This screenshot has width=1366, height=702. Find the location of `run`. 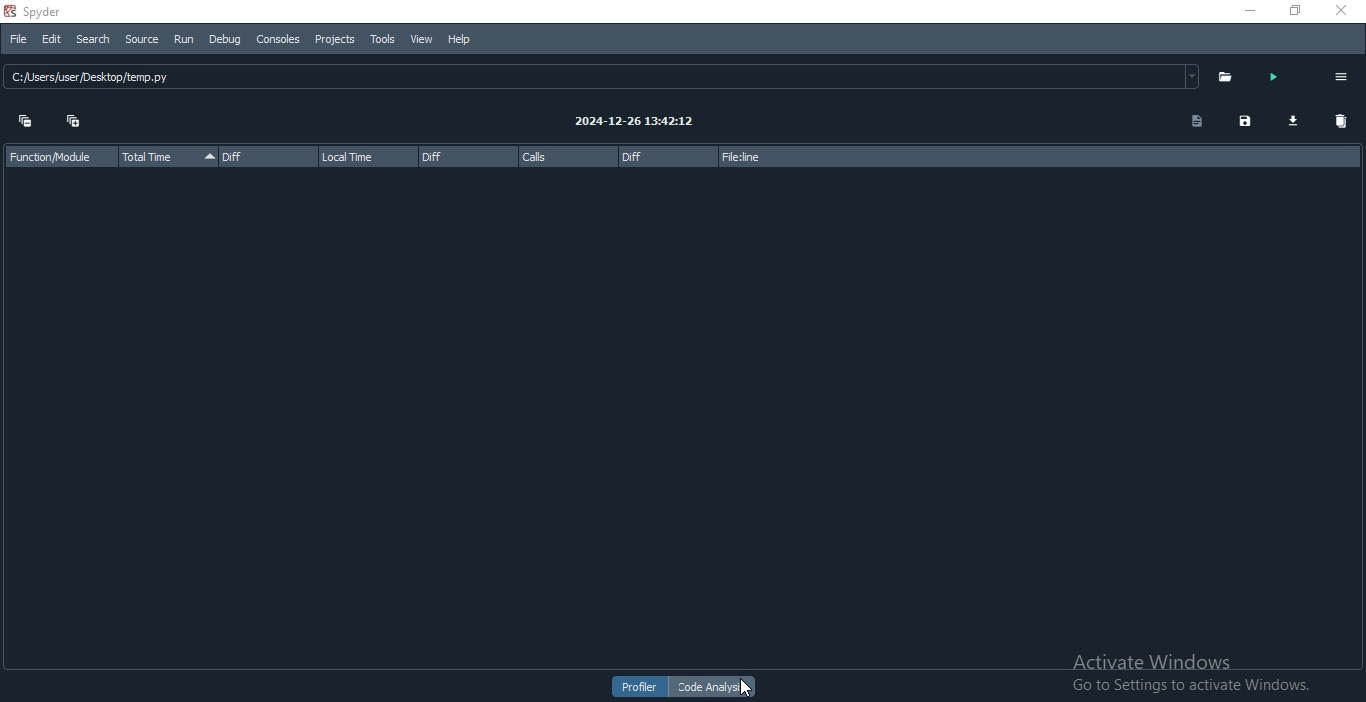

run is located at coordinates (1272, 75).